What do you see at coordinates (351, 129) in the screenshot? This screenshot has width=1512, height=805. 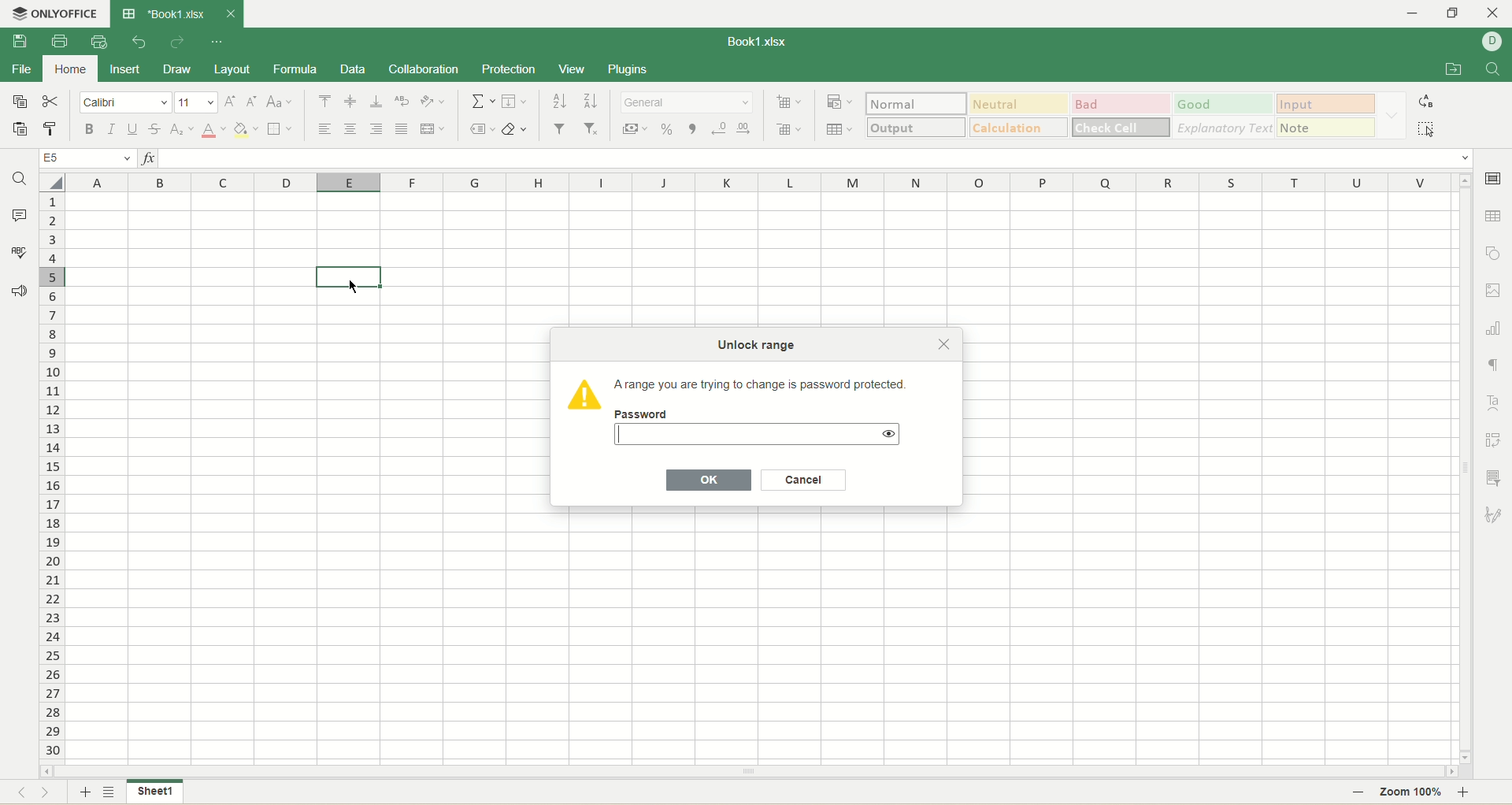 I see `align center` at bounding box center [351, 129].